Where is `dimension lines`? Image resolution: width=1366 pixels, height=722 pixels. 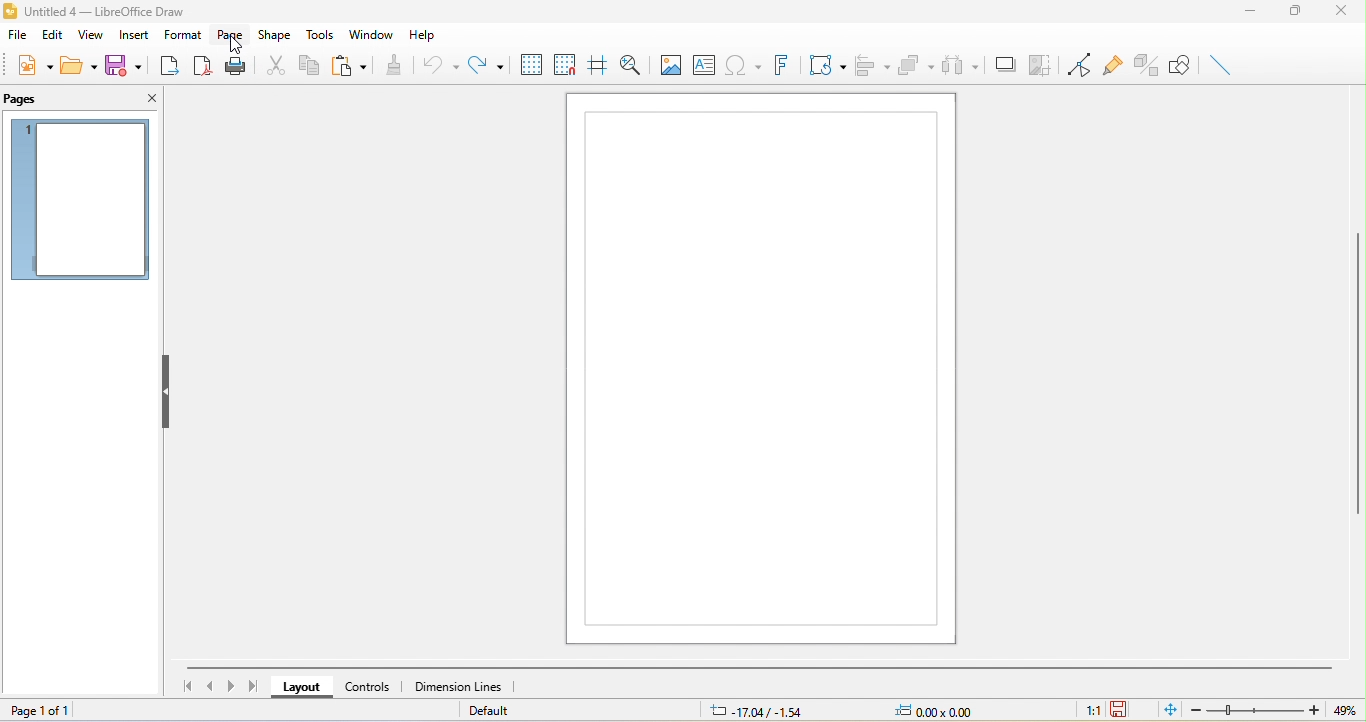 dimension lines is located at coordinates (462, 687).